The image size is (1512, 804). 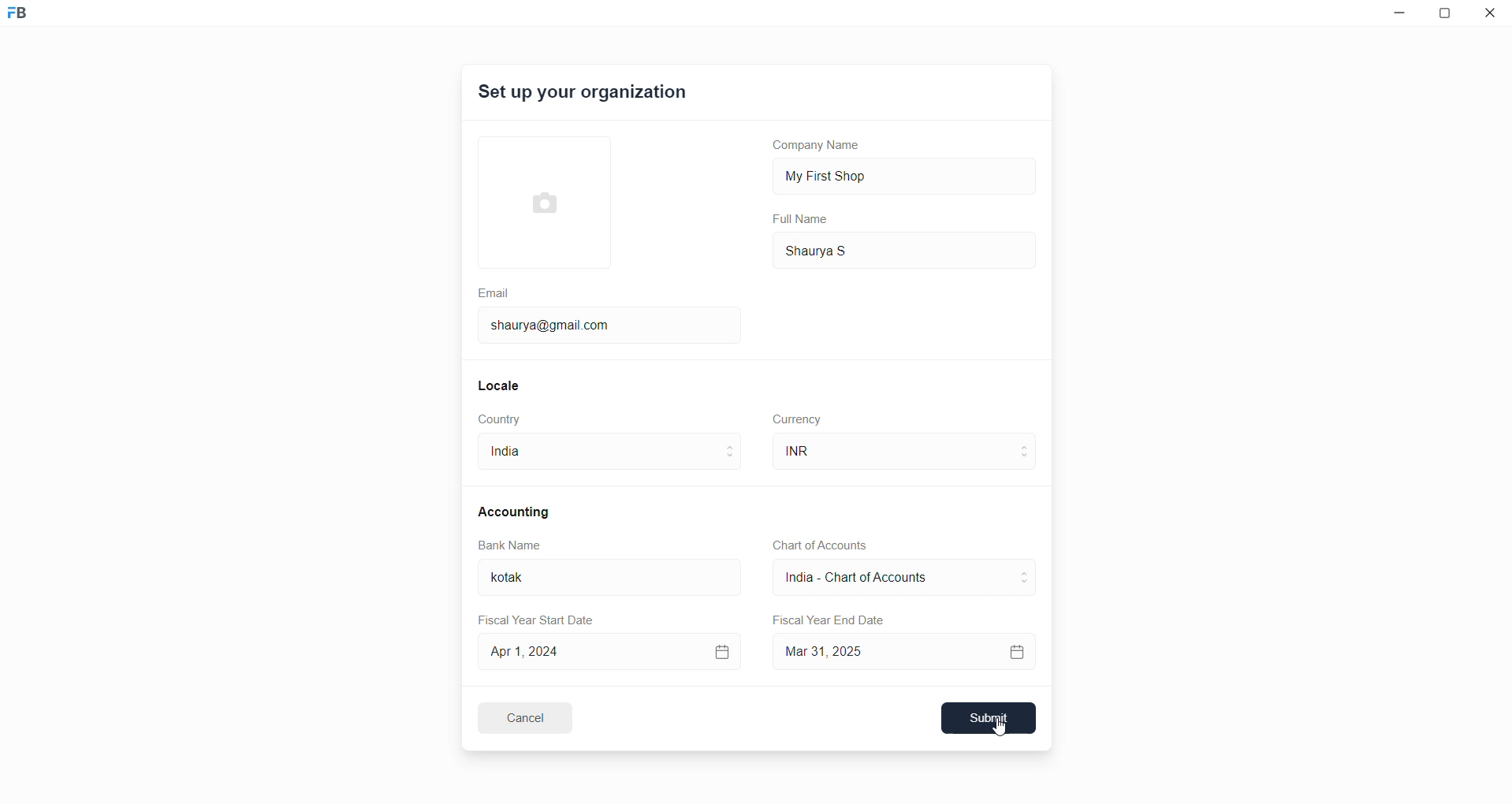 I want to click on kotak, so click(x=521, y=579).